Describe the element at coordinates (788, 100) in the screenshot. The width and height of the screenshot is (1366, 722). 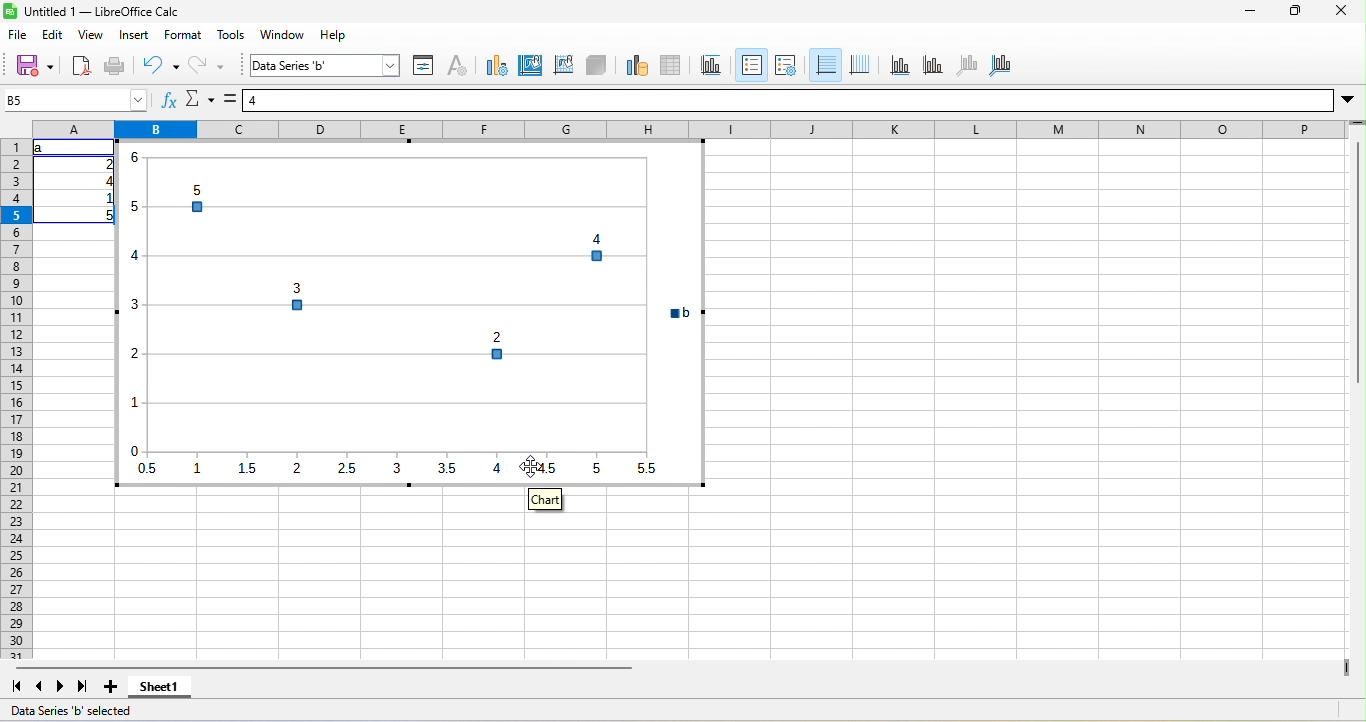
I see `formula bar` at that location.